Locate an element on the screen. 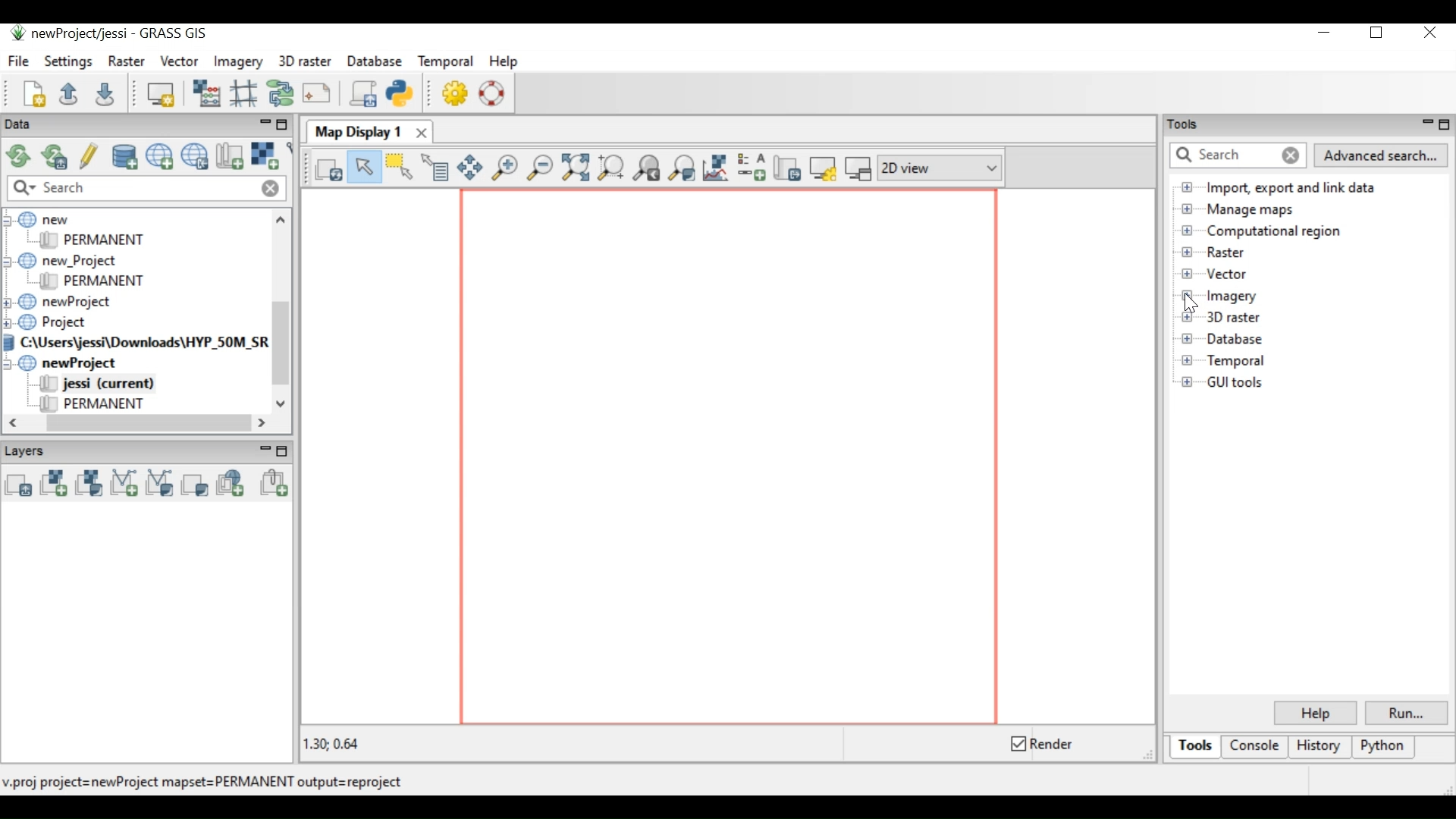  Download sample project is located at coordinates (195, 157).